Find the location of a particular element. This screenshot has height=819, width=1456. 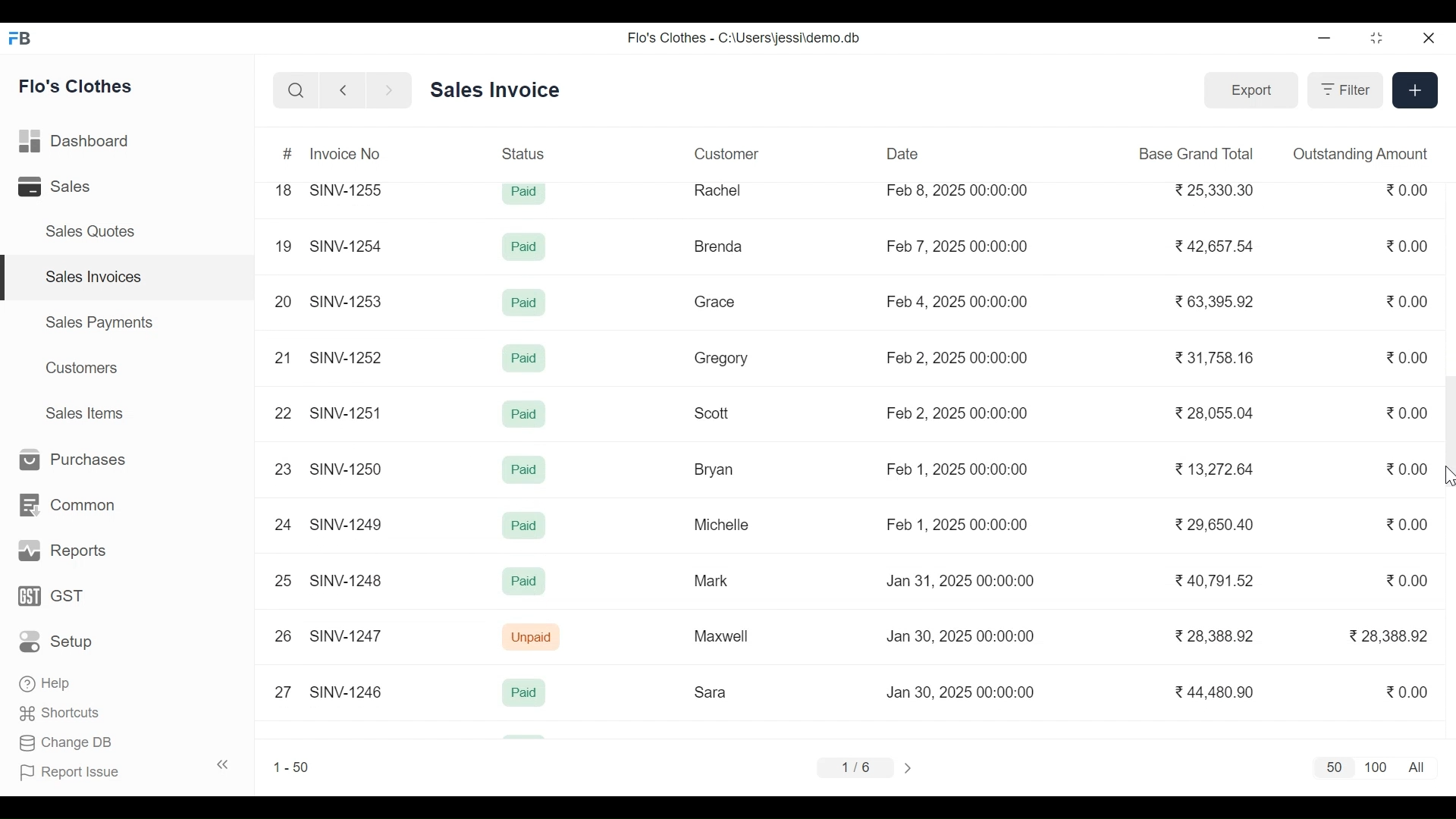

Grace is located at coordinates (715, 303).